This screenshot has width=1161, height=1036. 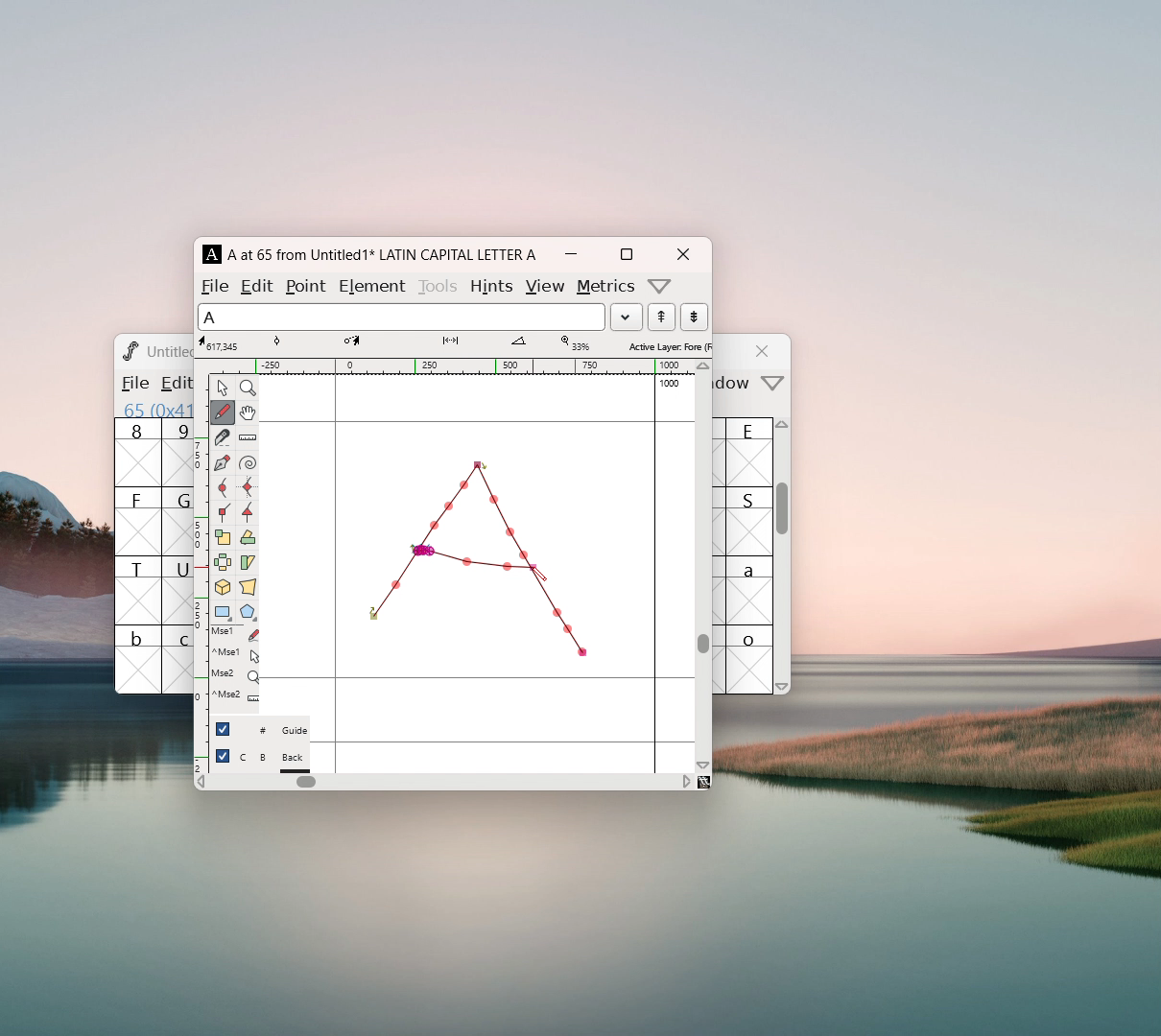 What do you see at coordinates (661, 318) in the screenshot?
I see `show the next word in the wordlist` at bounding box center [661, 318].